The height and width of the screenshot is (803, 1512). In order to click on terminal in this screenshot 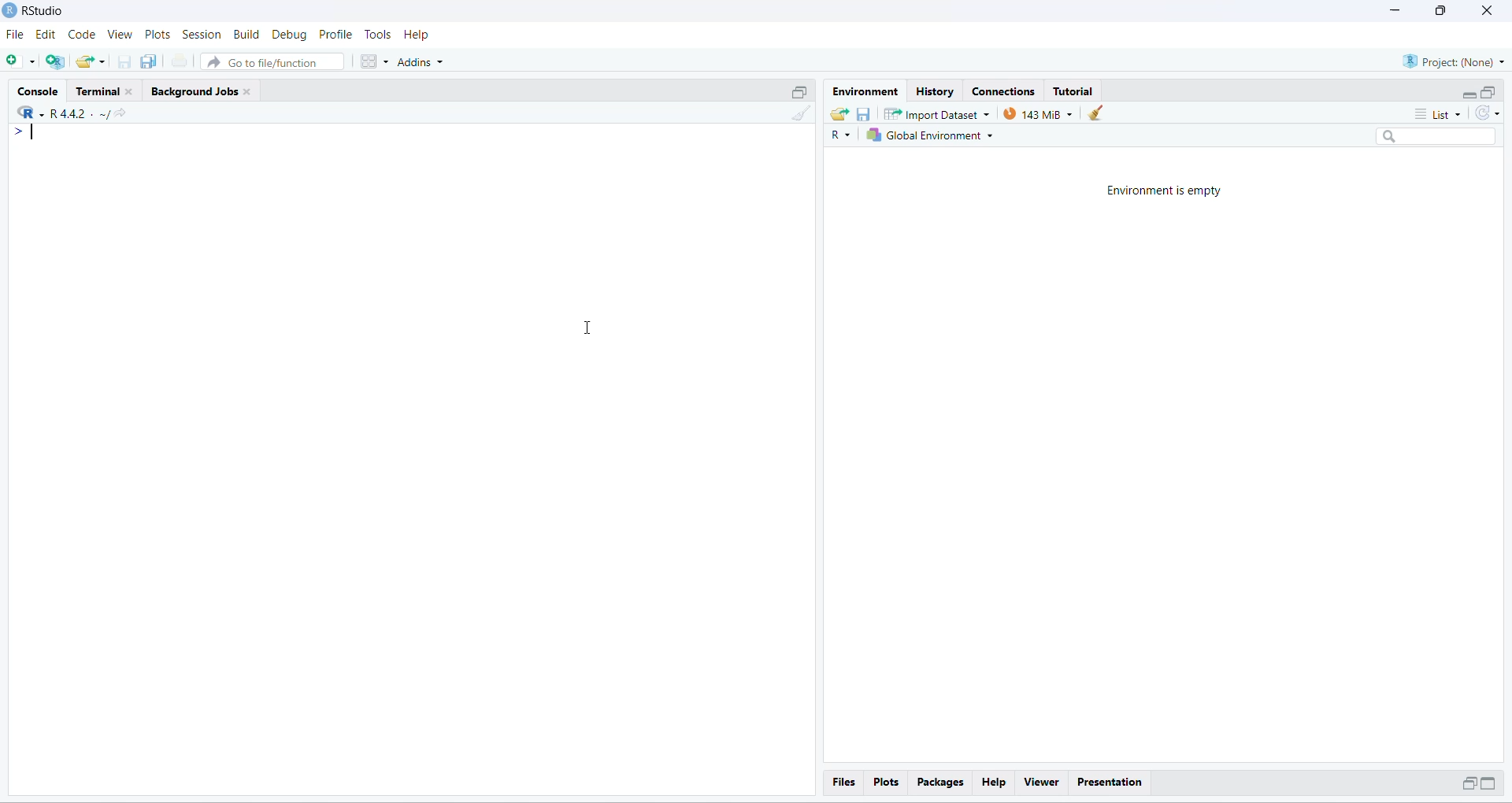, I will do `click(98, 91)`.